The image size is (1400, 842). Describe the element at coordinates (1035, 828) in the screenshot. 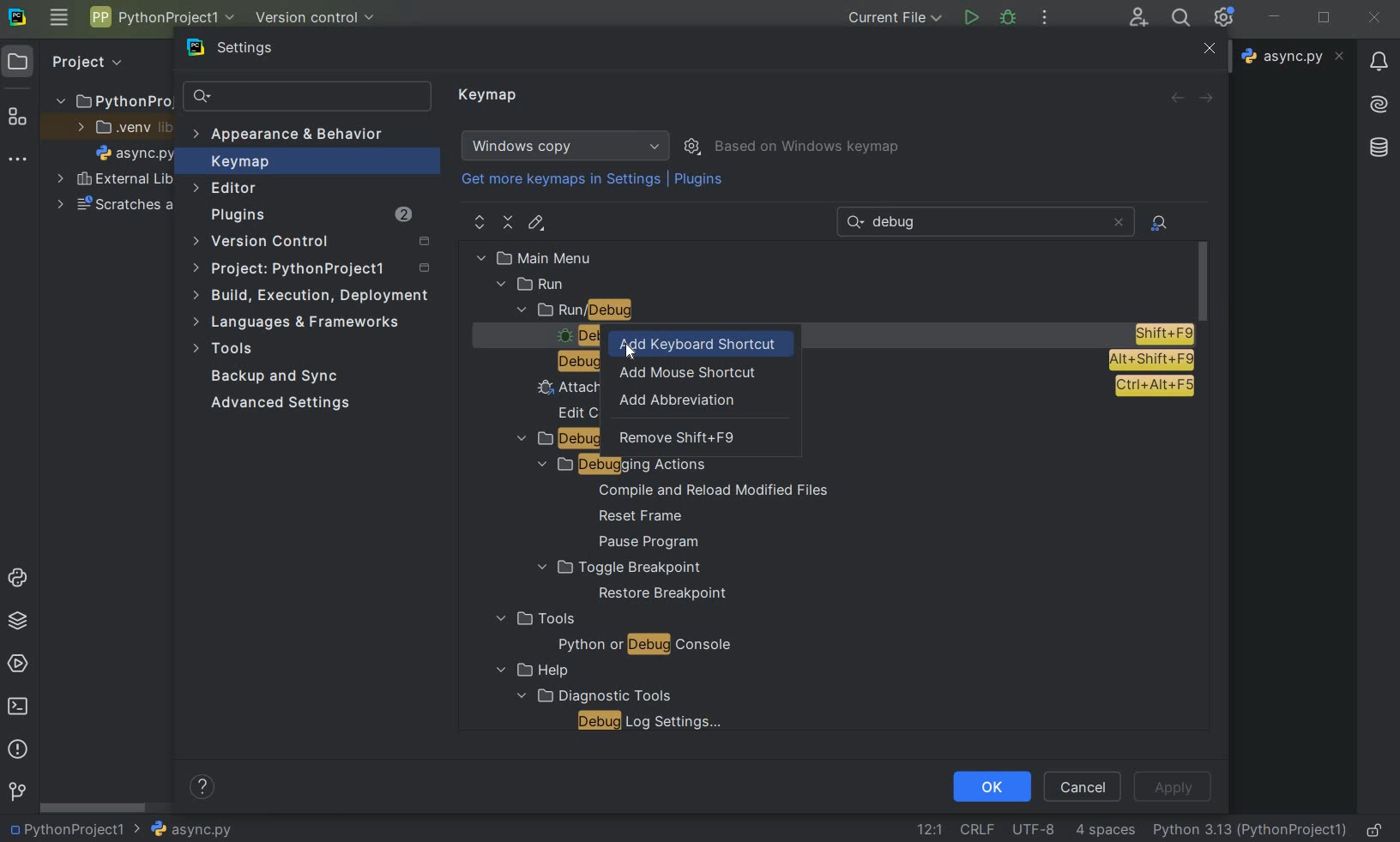

I see `file encoding` at that location.